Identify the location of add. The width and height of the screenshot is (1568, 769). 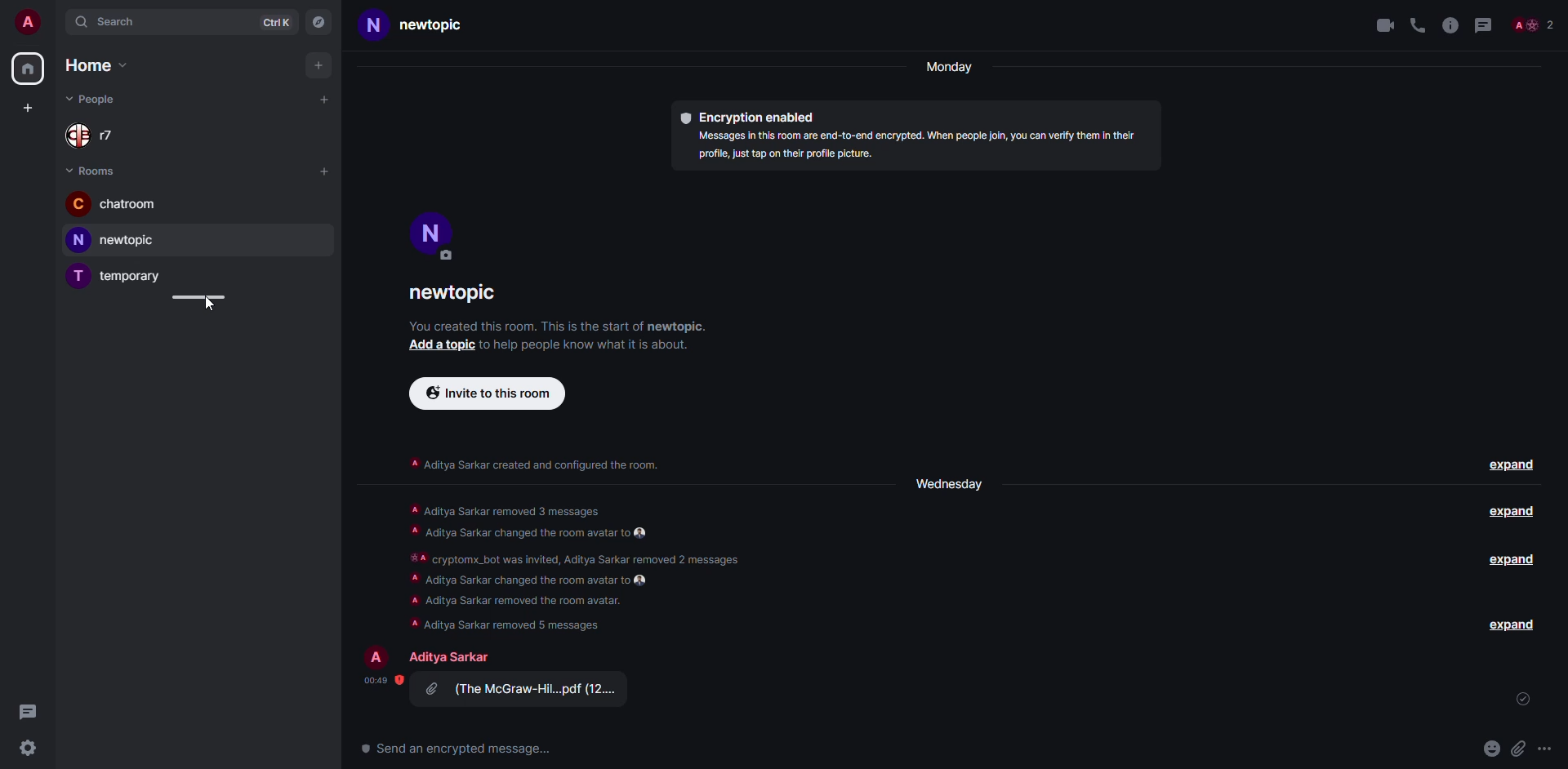
(318, 65).